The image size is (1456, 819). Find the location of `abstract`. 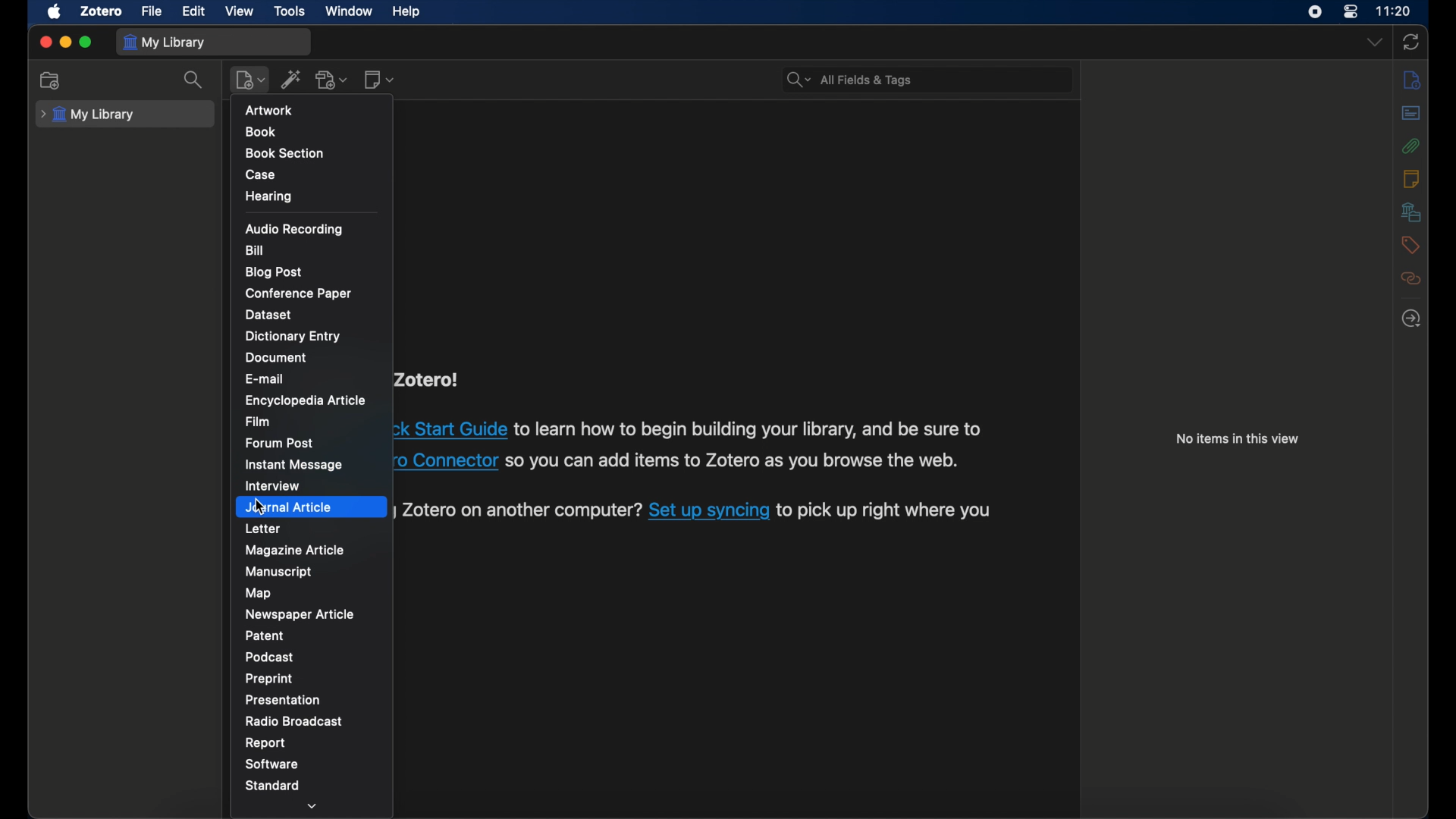

abstract is located at coordinates (1411, 112).